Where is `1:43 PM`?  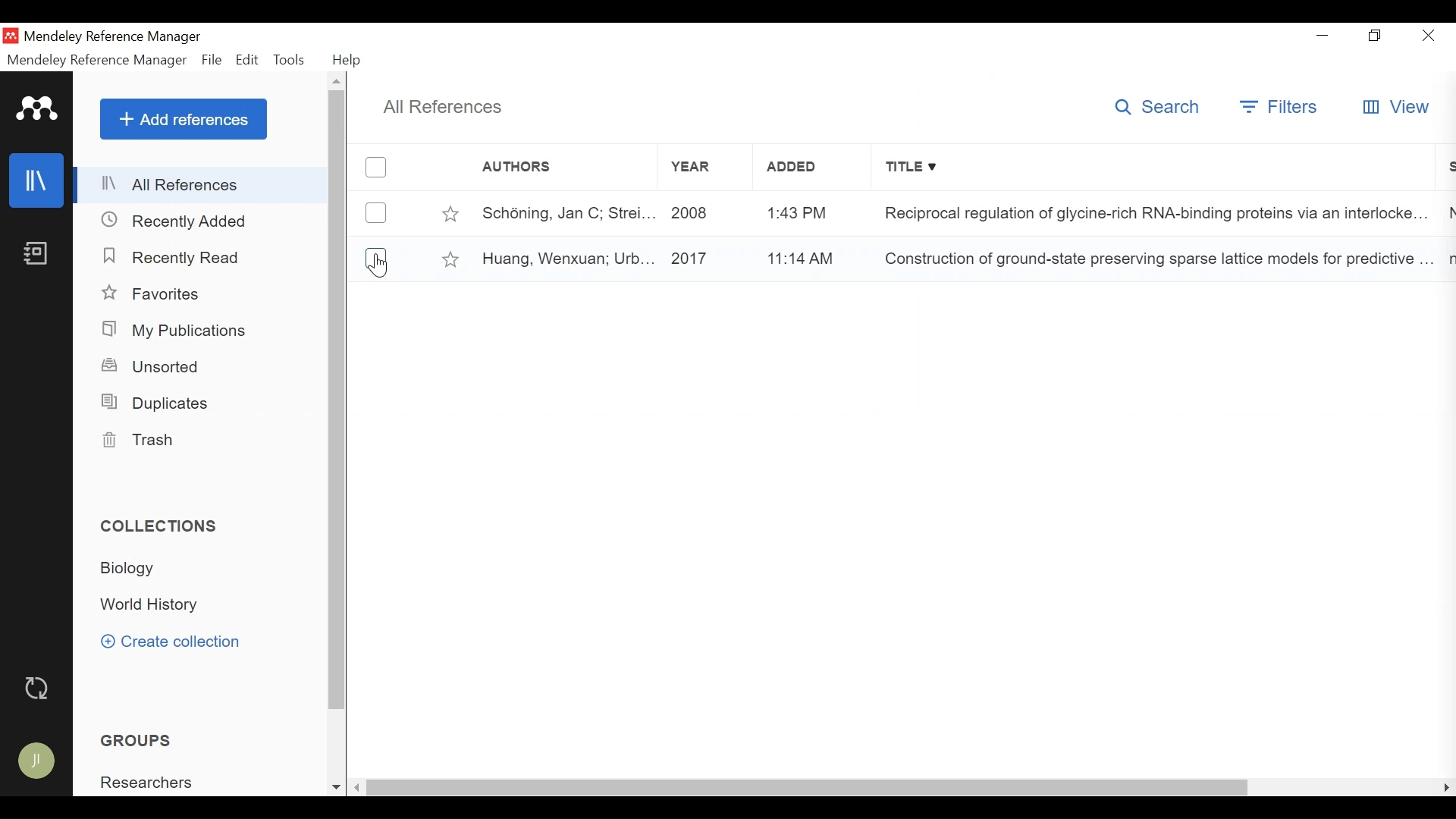
1:43 PM is located at coordinates (795, 212).